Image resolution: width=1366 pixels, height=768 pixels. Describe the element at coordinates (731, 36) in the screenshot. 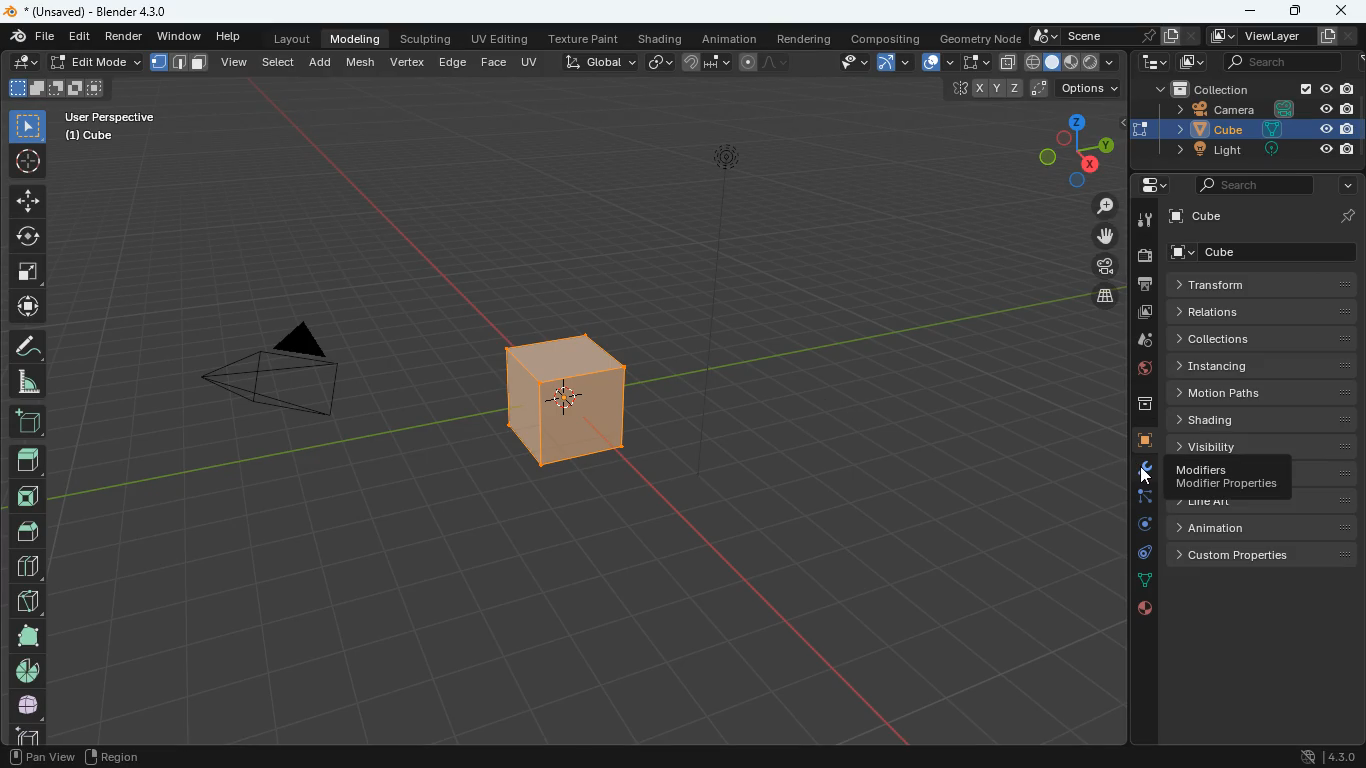

I see `animation` at that location.